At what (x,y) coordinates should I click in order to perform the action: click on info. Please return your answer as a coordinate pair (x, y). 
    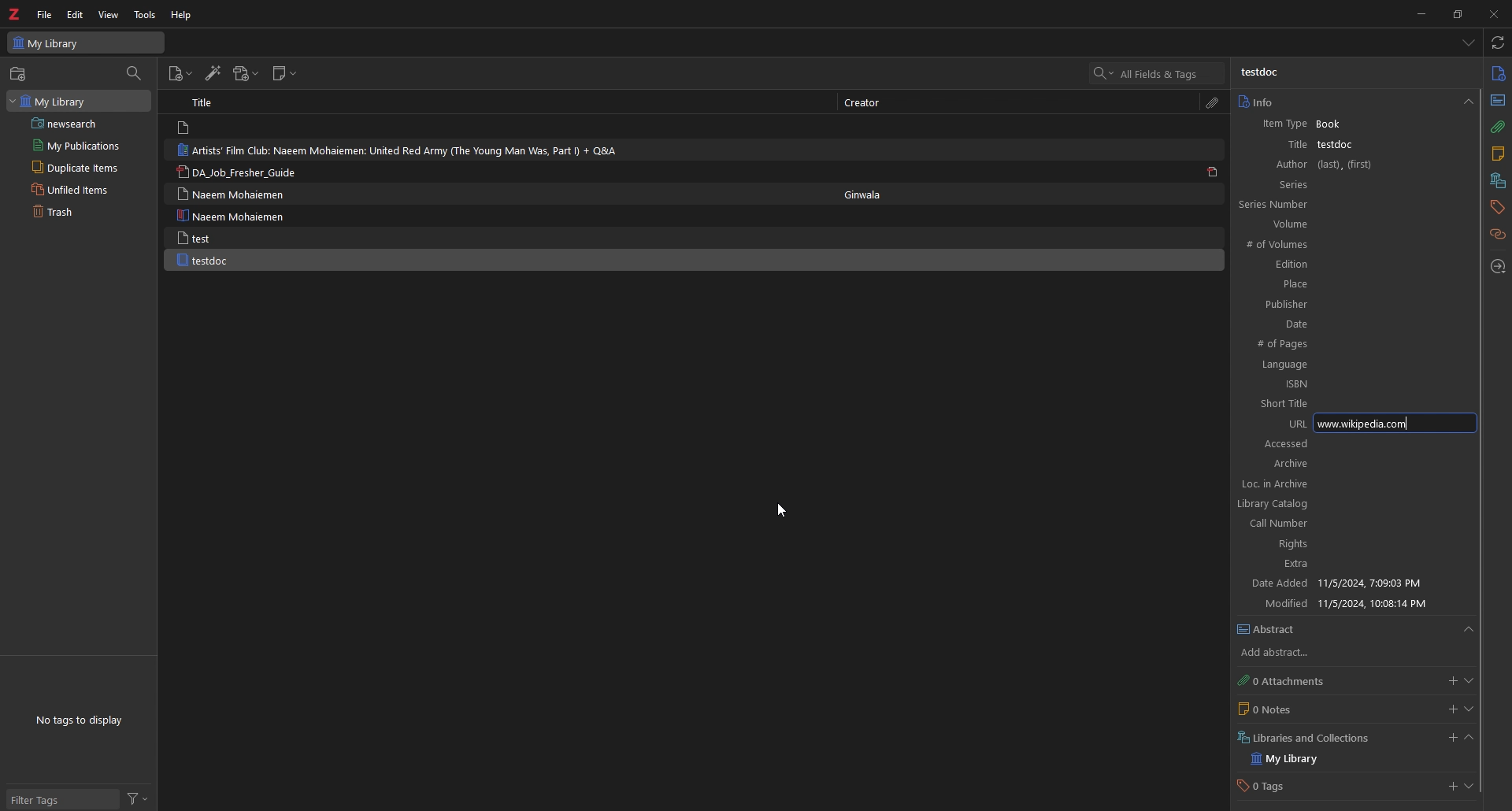
    Looking at the image, I should click on (1497, 73).